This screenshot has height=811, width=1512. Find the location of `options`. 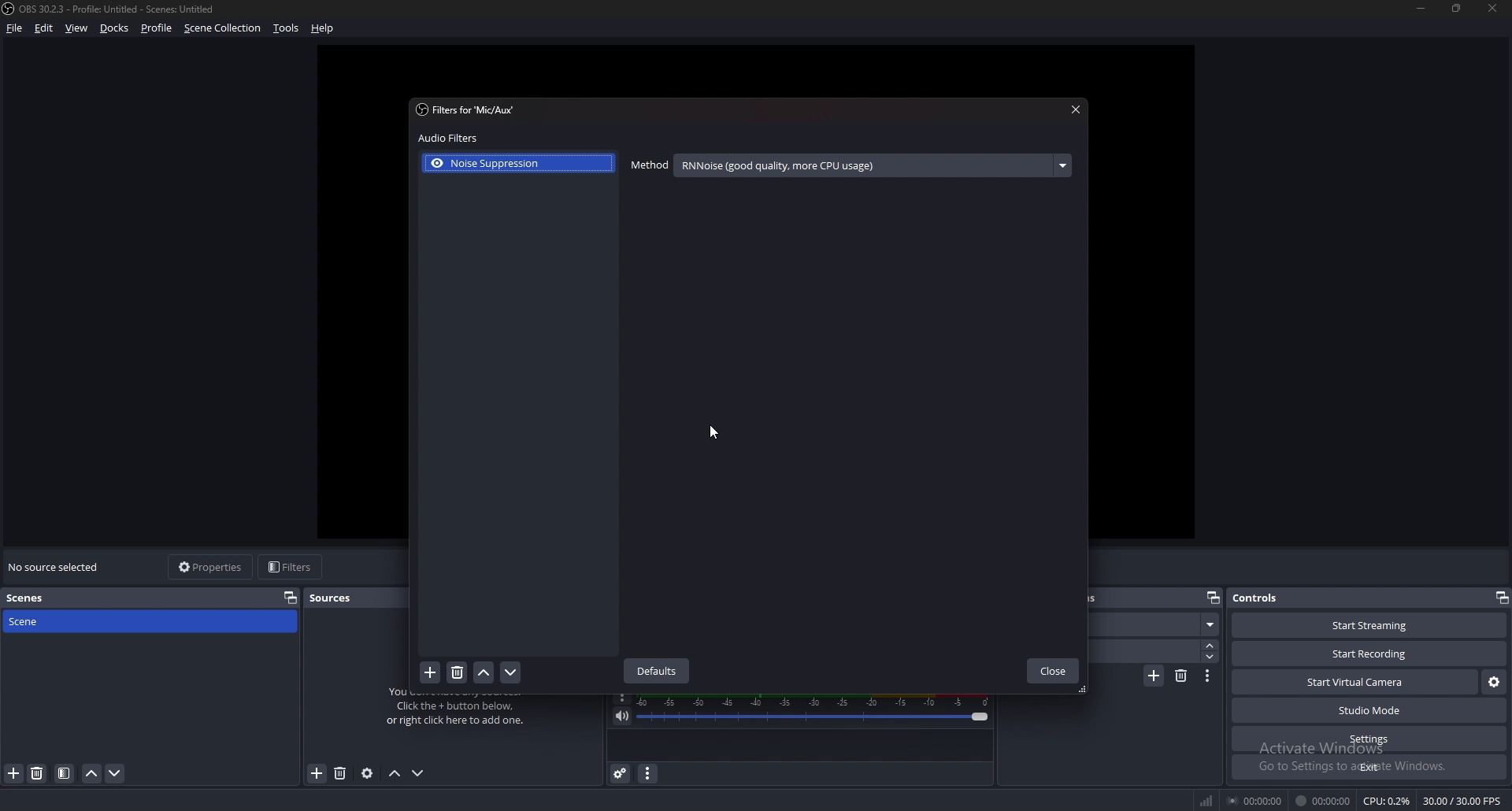

options is located at coordinates (623, 698).